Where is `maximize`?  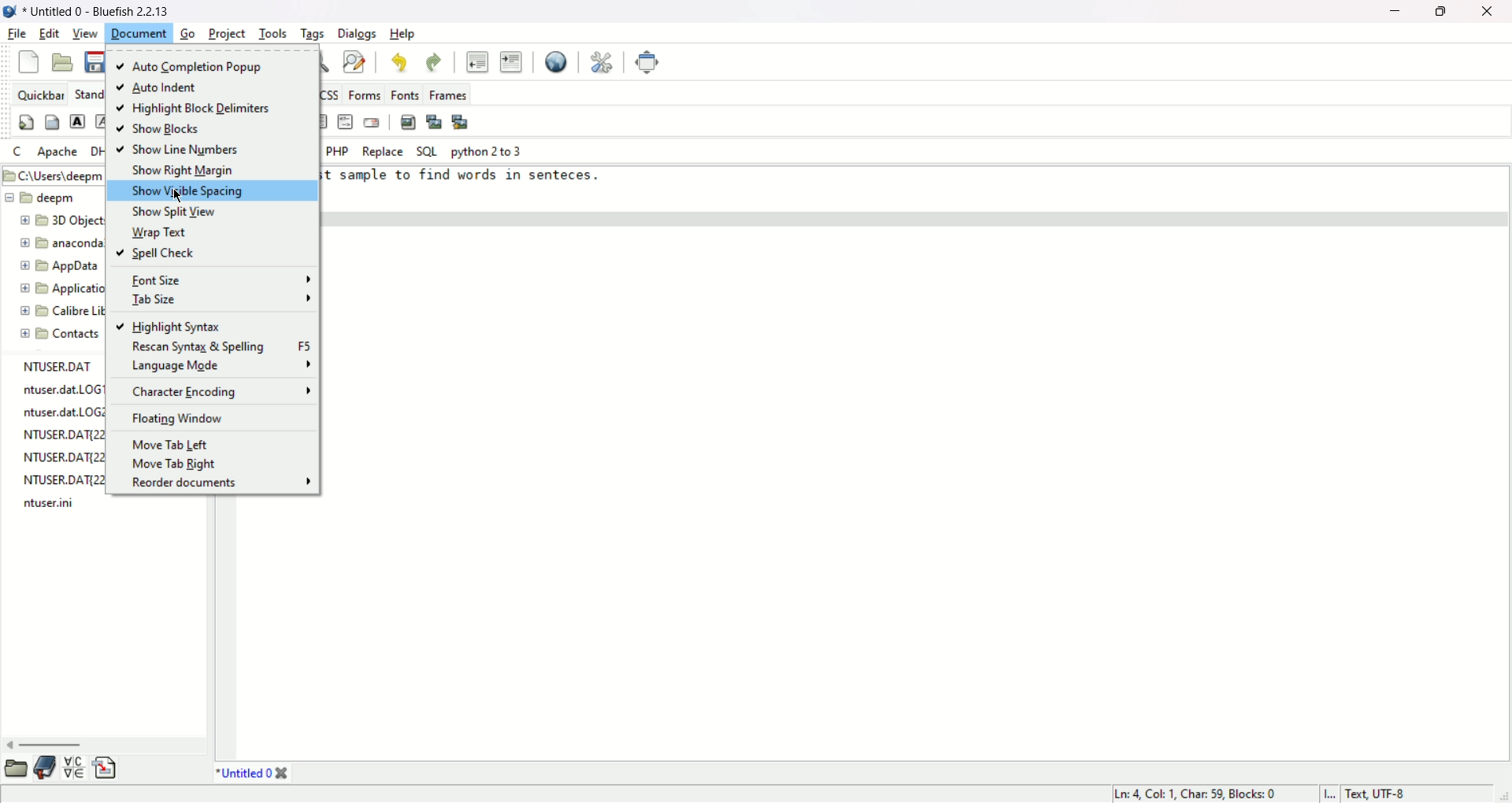 maximize is located at coordinates (1442, 12).